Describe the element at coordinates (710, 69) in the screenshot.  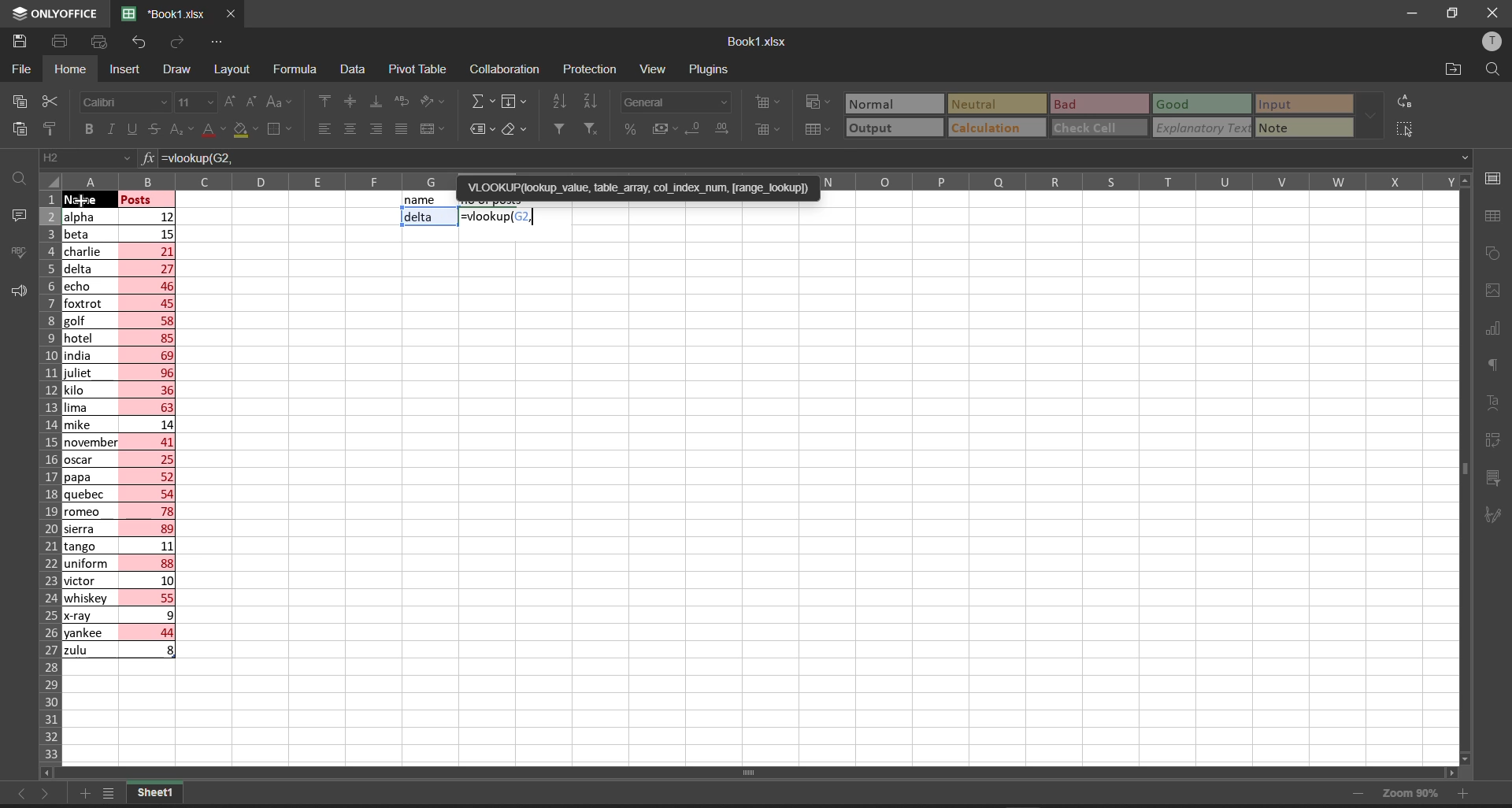
I see `plugins` at that location.